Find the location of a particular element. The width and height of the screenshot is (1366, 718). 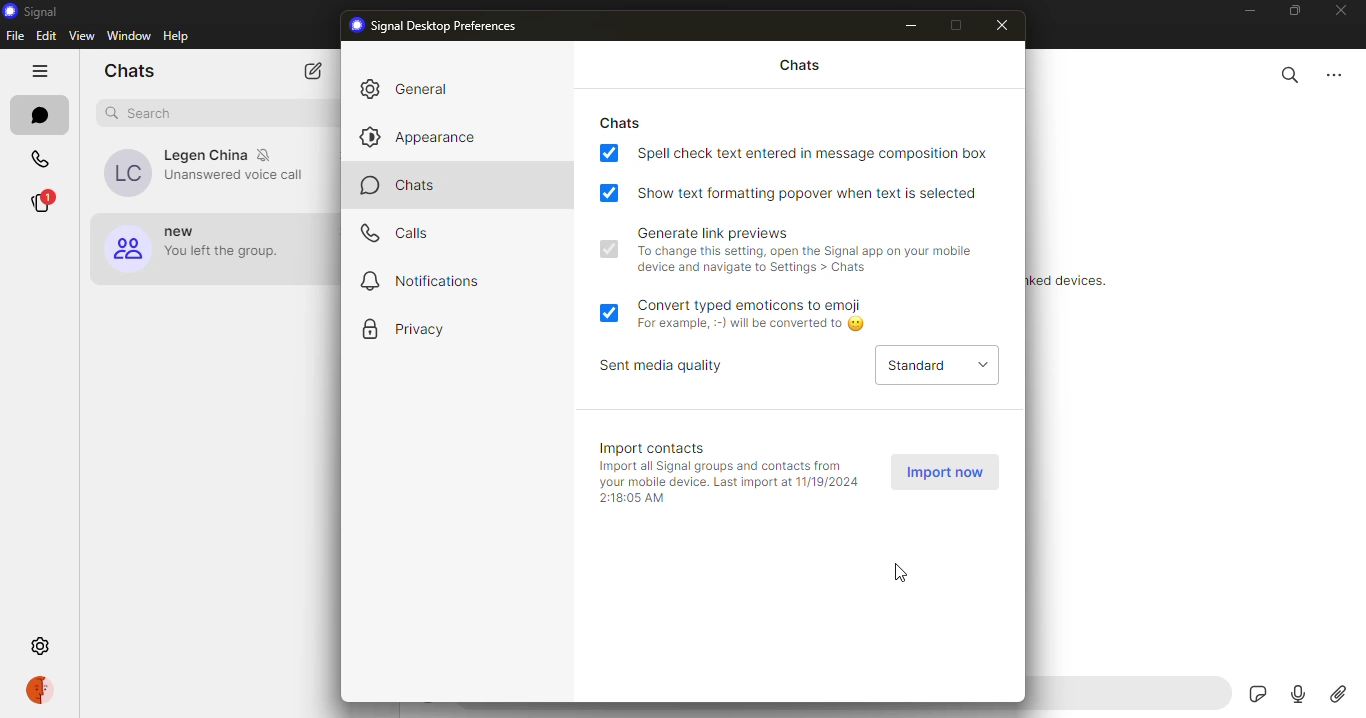

window is located at coordinates (127, 35).